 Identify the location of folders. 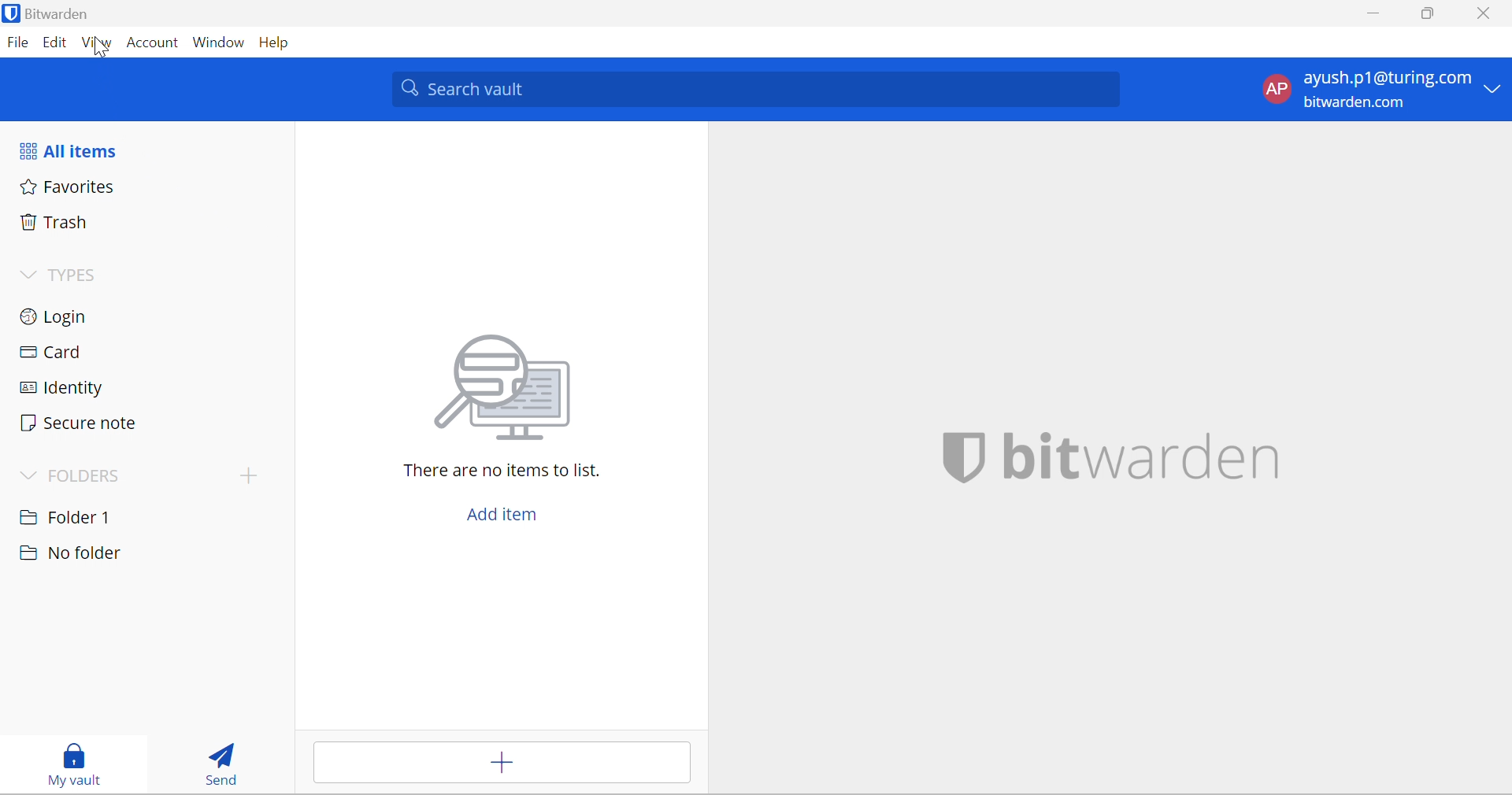
(78, 474).